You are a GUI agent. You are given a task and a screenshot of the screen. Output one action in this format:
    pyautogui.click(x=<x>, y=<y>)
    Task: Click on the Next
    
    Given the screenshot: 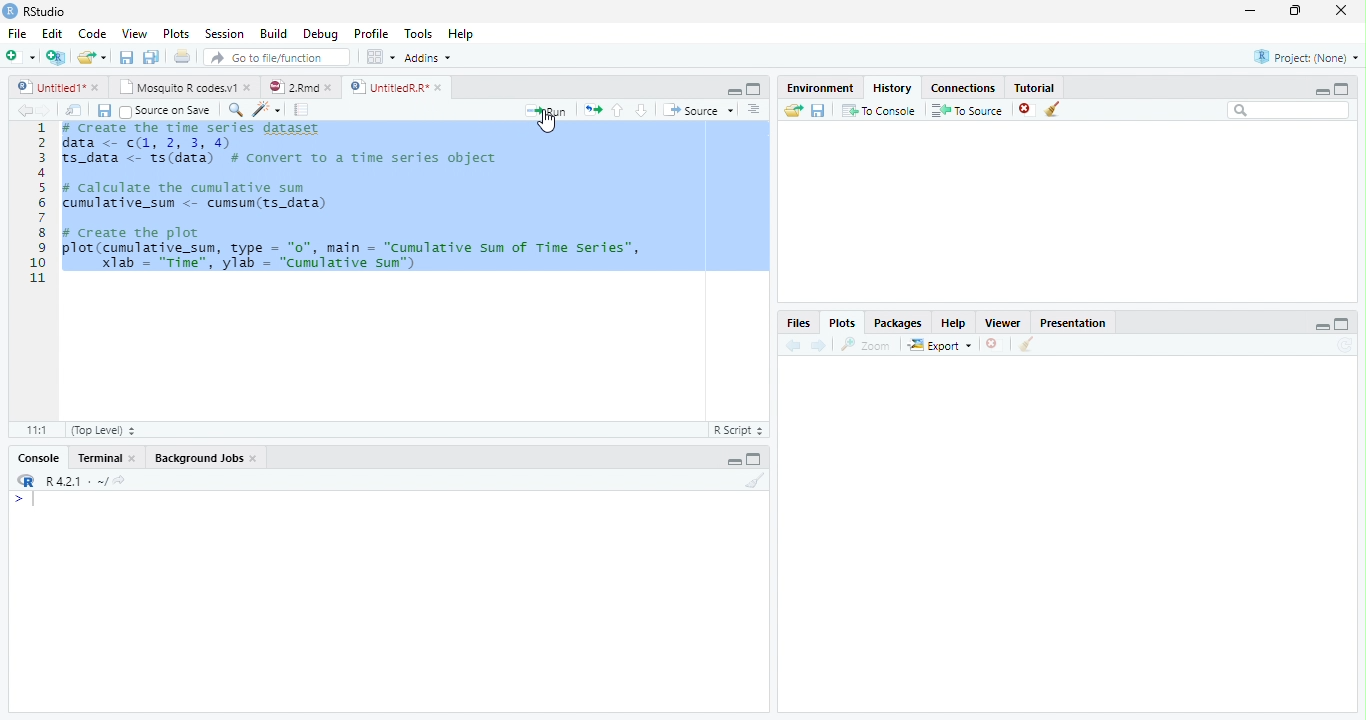 What is the action you would take?
    pyautogui.click(x=819, y=349)
    